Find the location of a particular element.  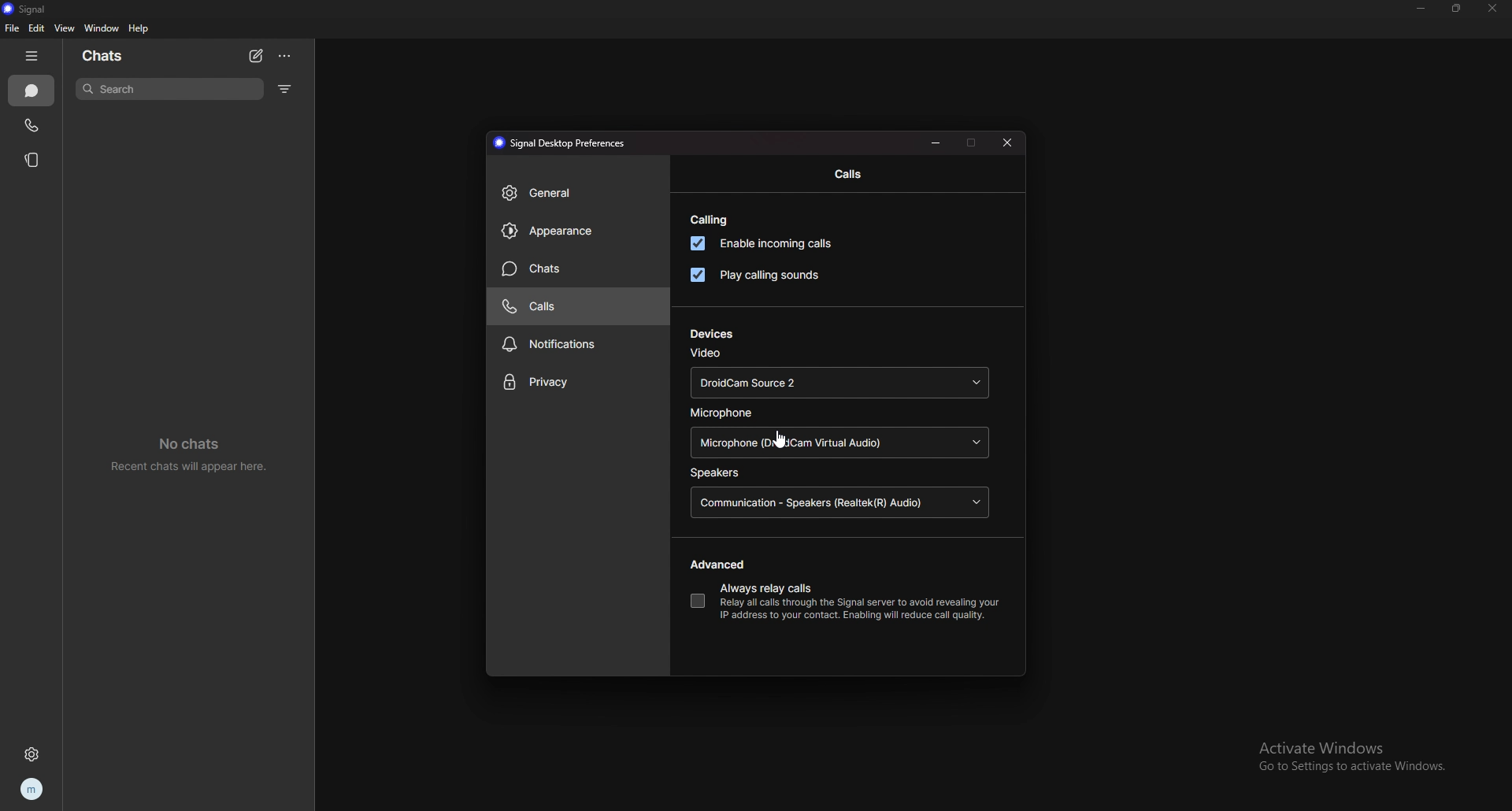

chats is located at coordinates (579, 268).